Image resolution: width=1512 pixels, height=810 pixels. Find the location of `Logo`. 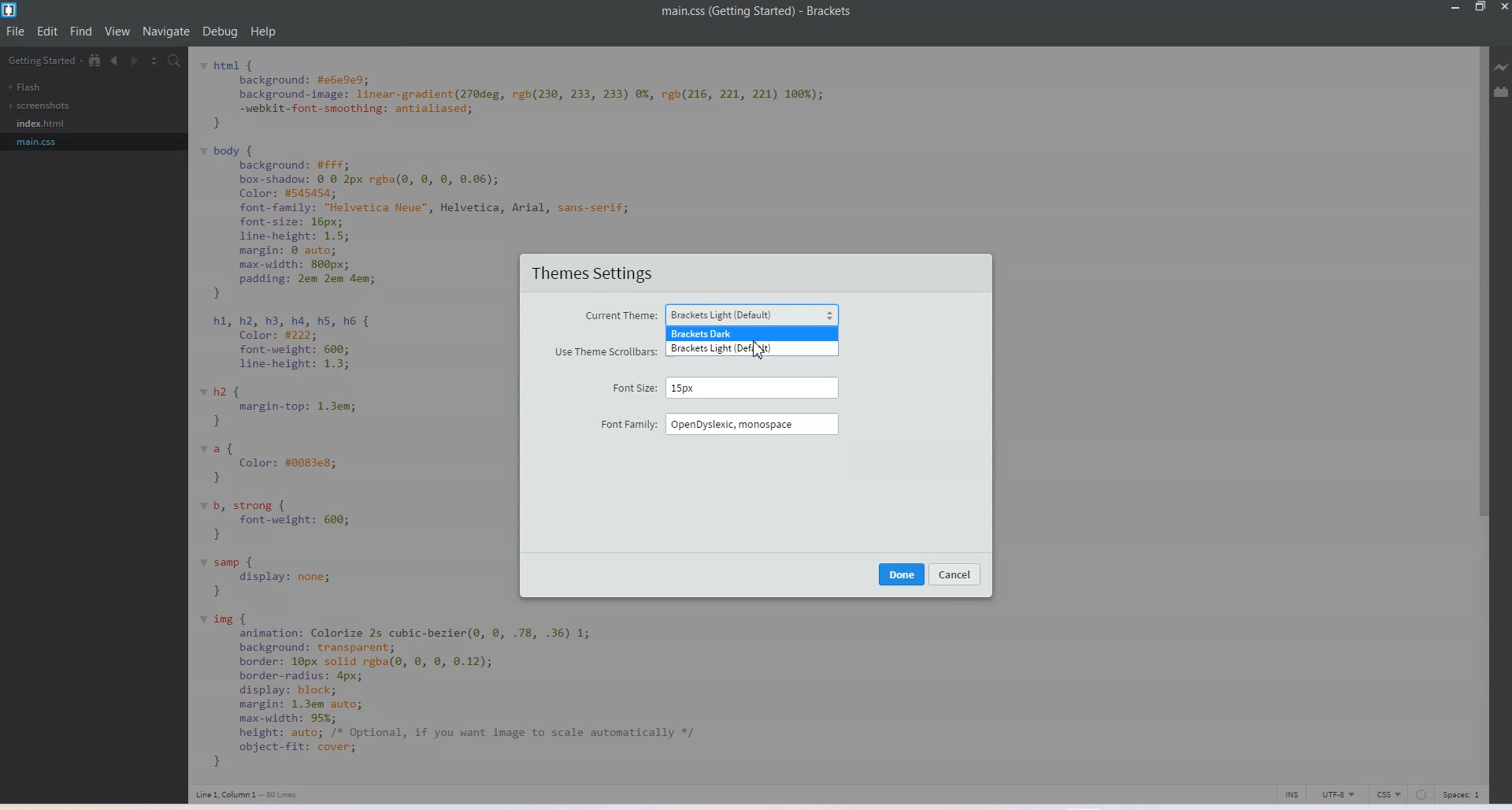

Logo is located at coordinates (12, 11).